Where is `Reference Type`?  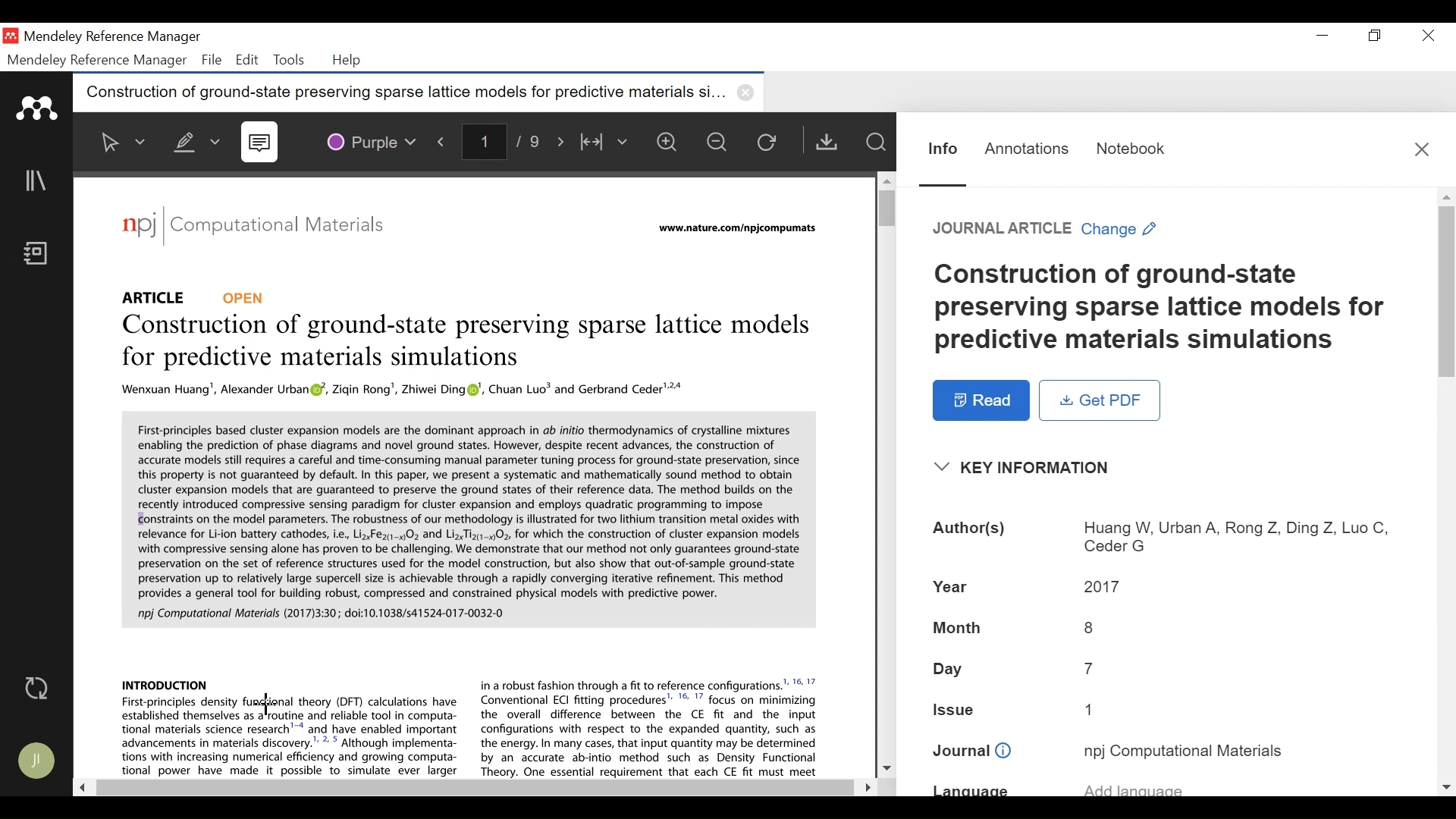
Reference Type is located at coordinates (158, 295).